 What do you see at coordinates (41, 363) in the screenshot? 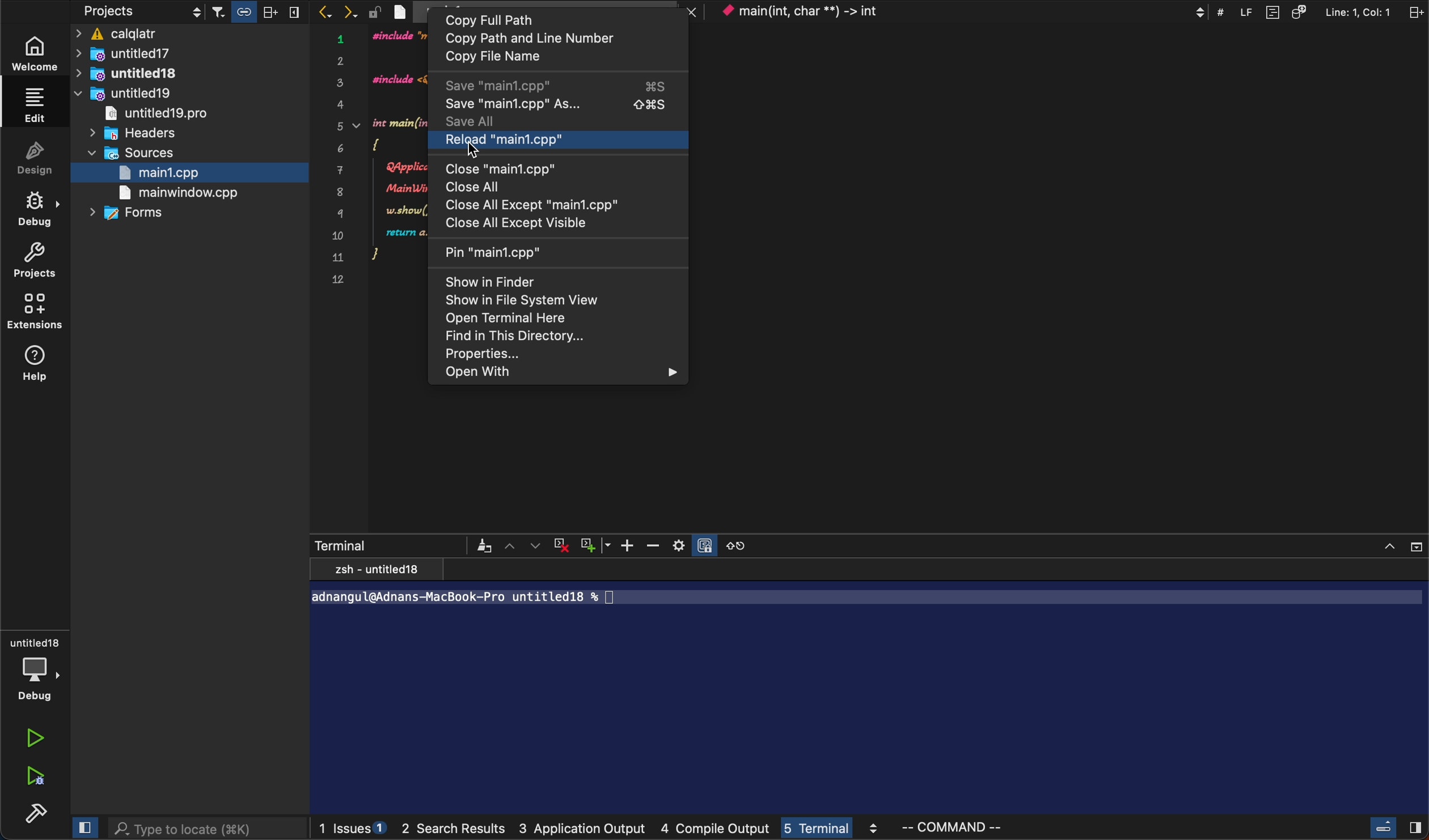
I see `help` at bounding box center [41, 363].